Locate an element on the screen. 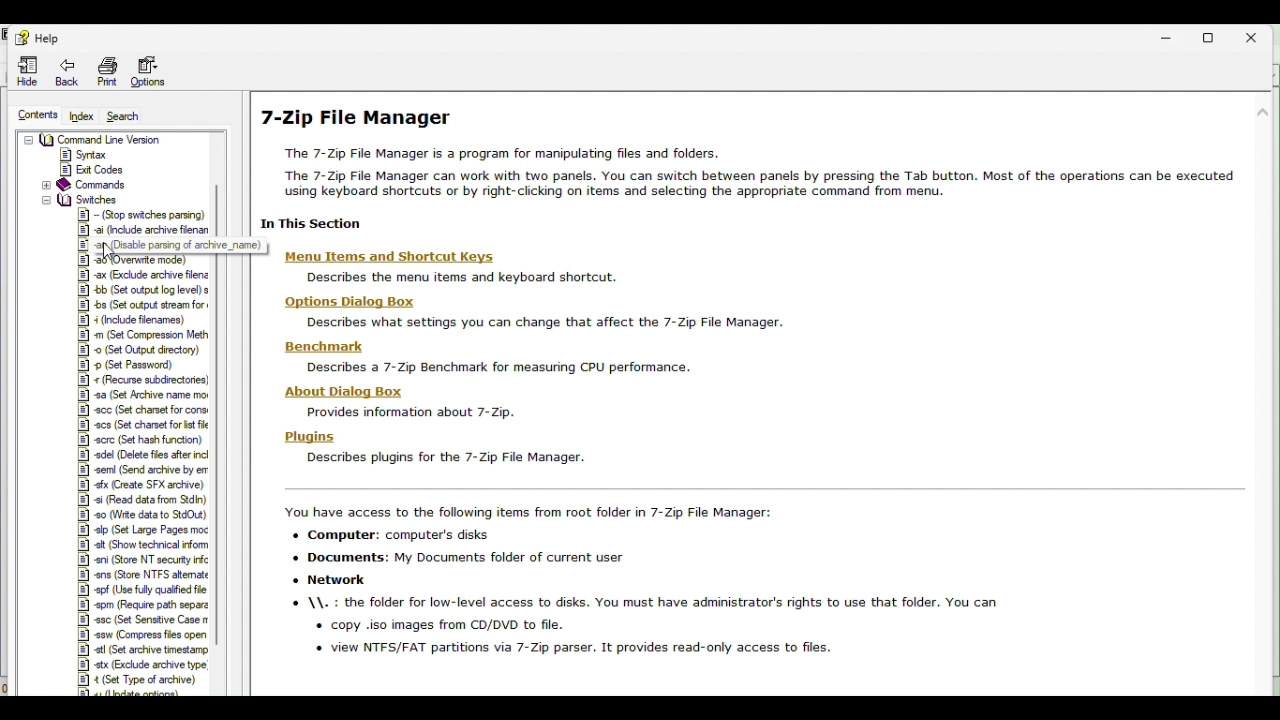  |E] 9 (Set Password) is located at coordinates (133, 365).